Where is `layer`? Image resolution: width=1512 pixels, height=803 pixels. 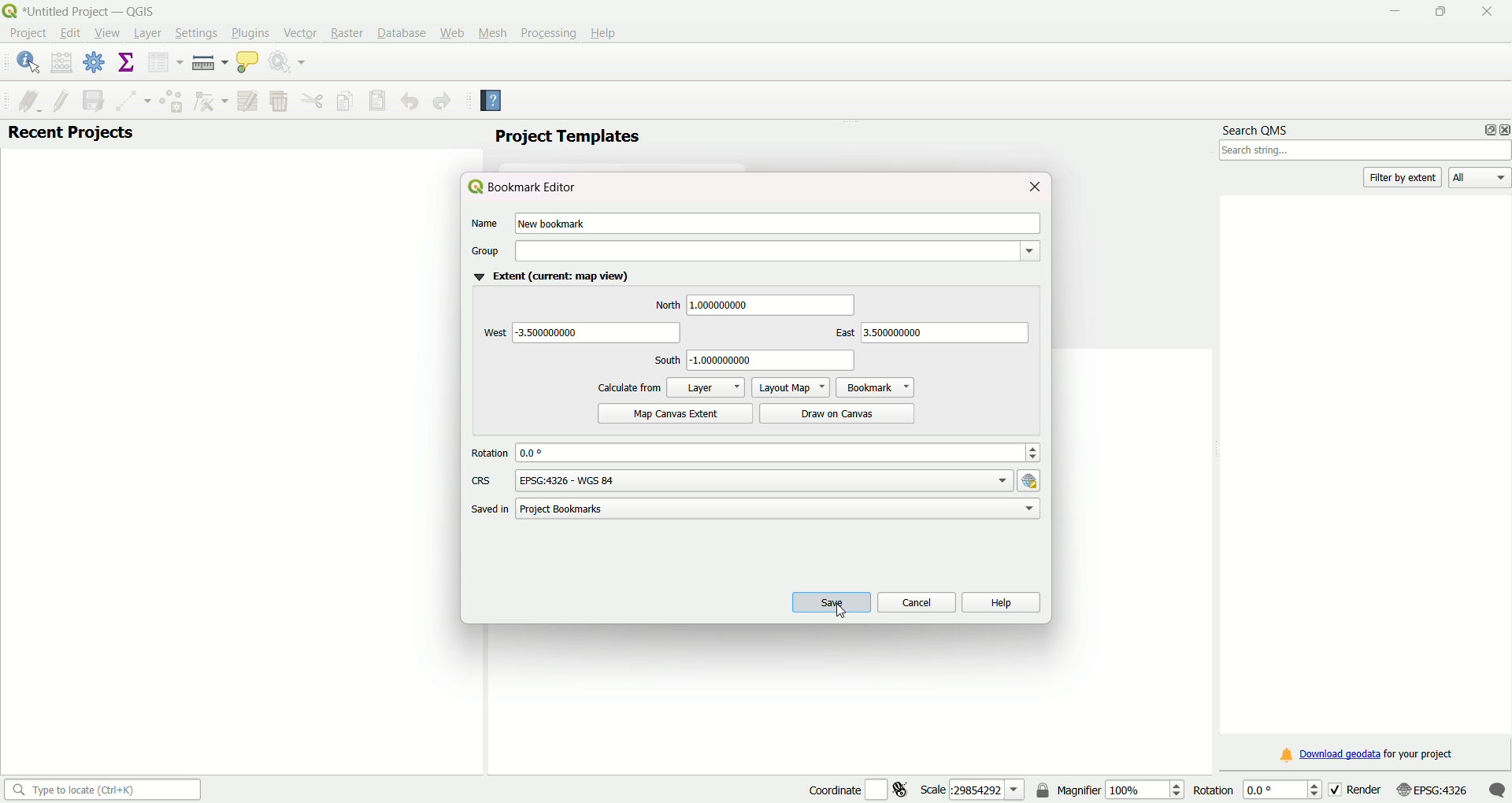 layer is located at coordinates (706, 387).